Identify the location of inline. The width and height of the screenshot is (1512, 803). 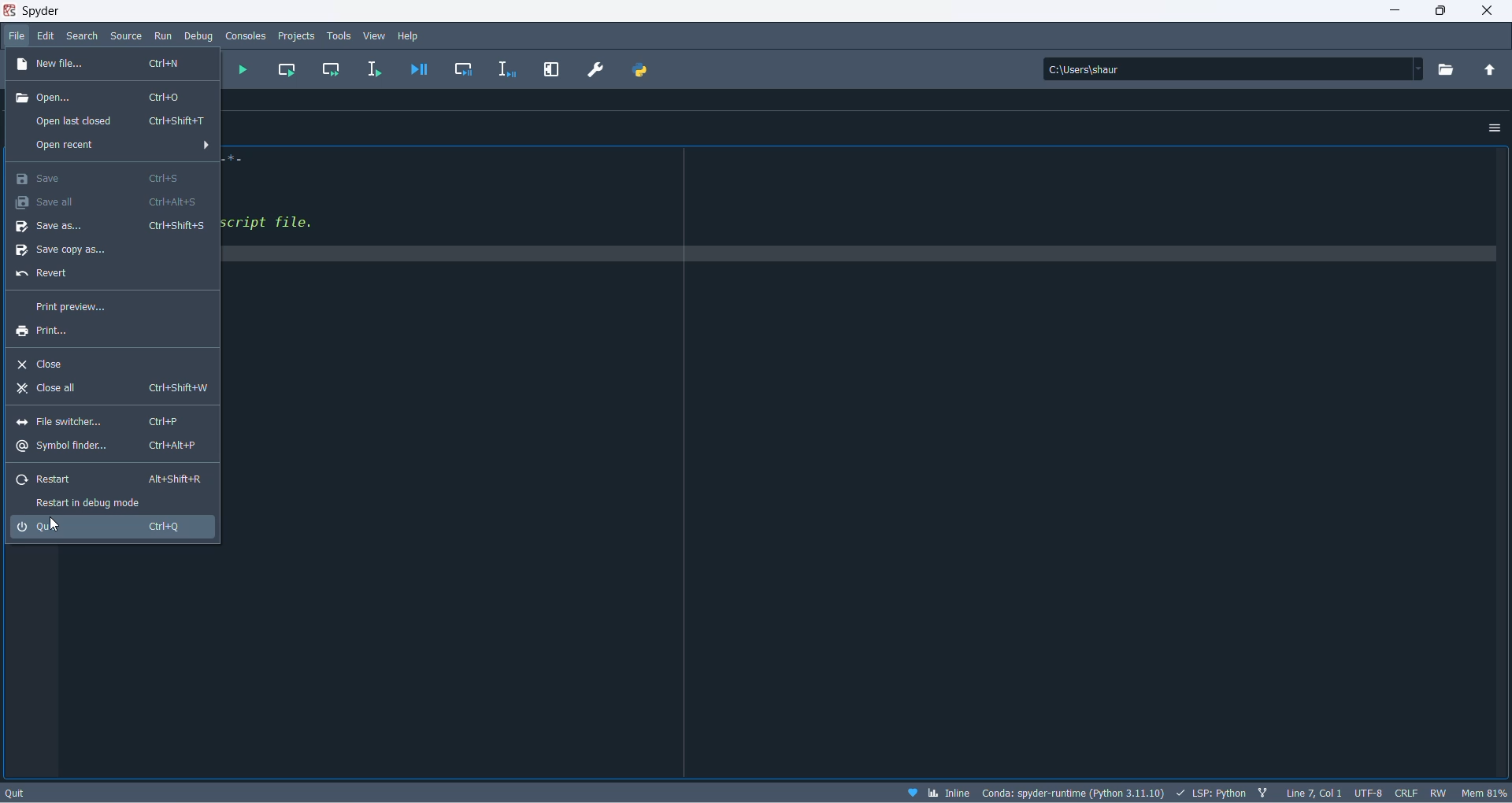
(947, 793).